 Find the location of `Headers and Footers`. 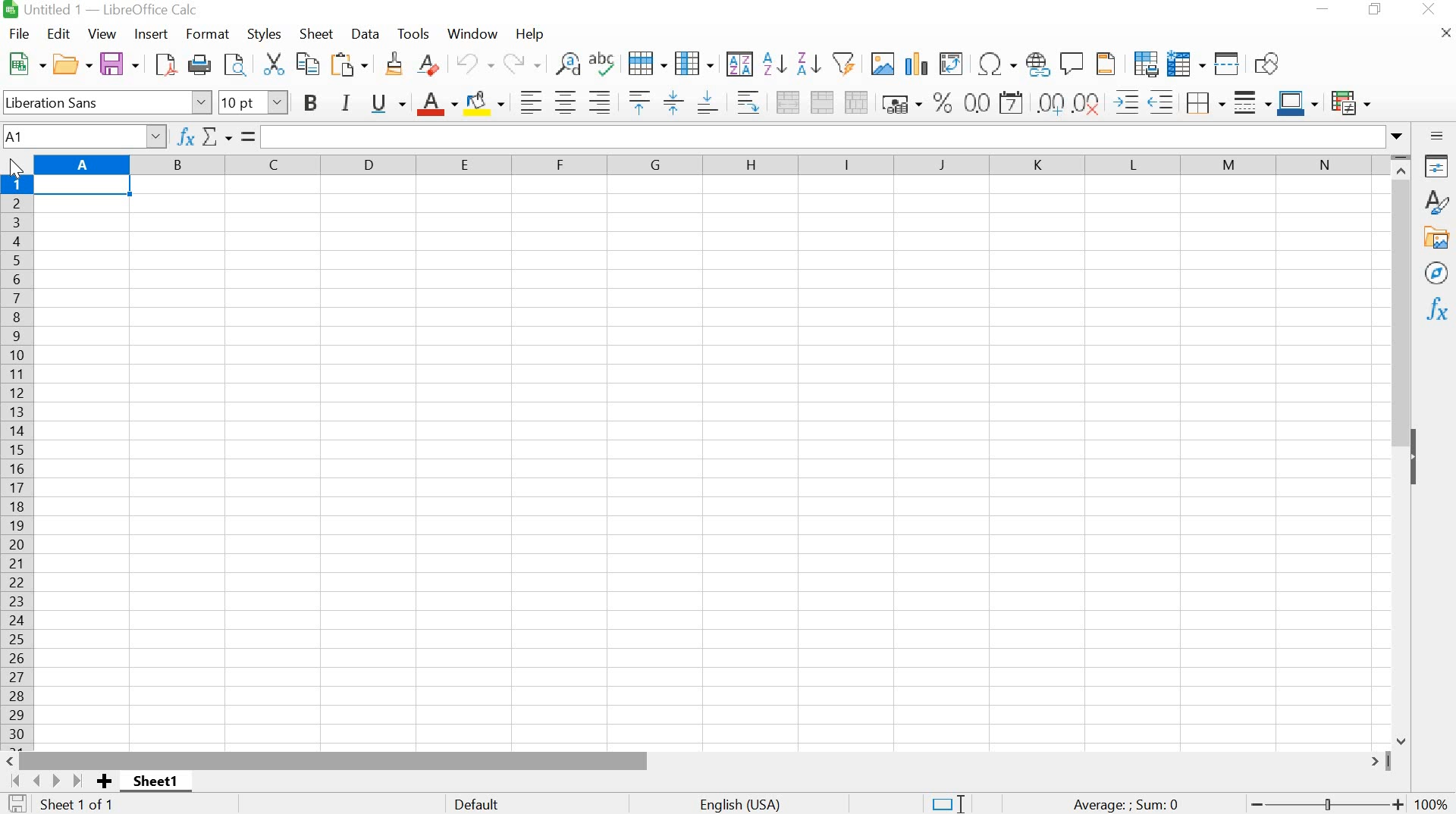

Headers and Footers is located at coordinates (1109, 64).